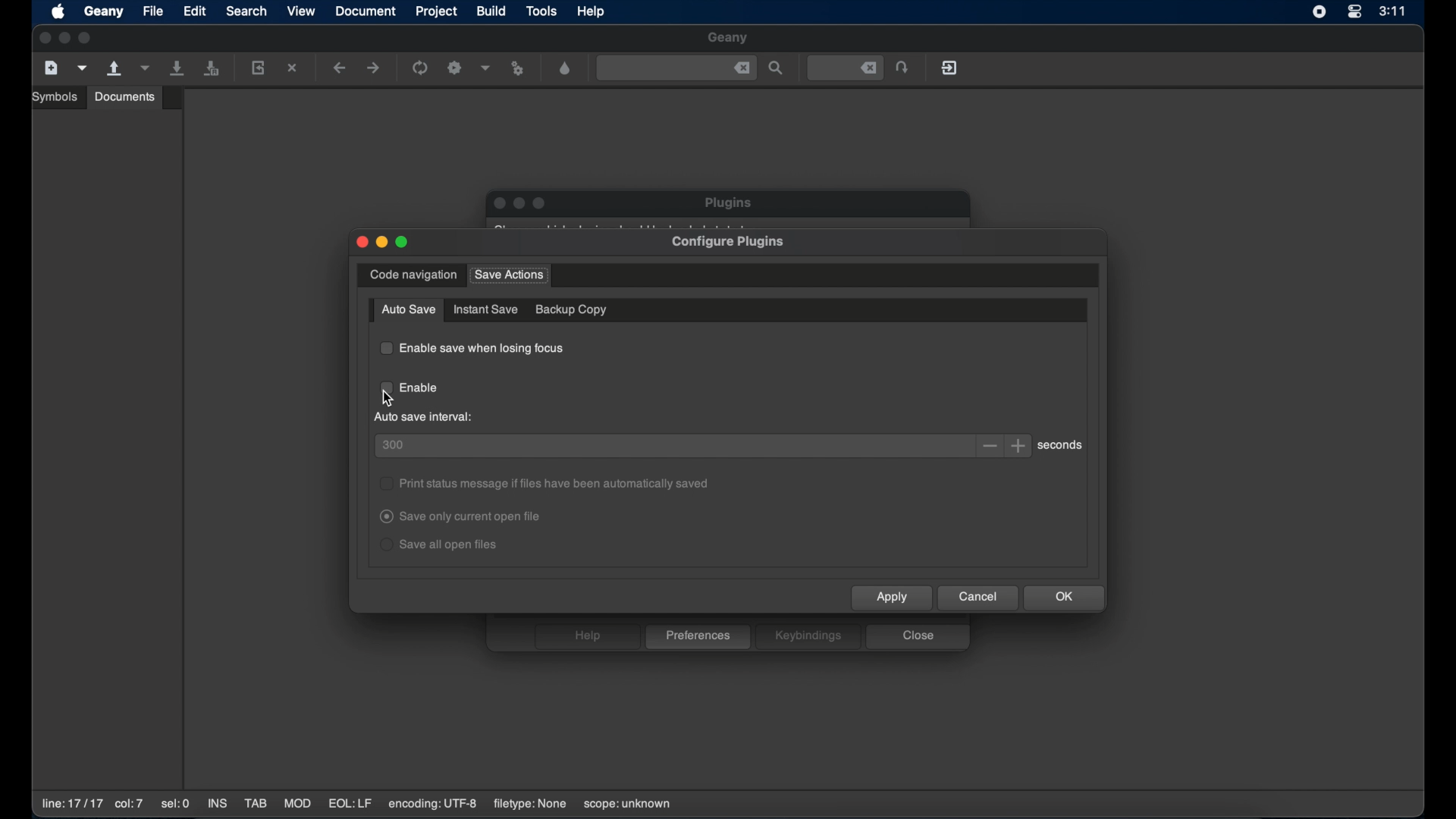 The image size is (1456, 819). What do you see at coordinates (566, 69) in the screenshot?
I see `open a color chooser dialogue` at bounding box center [566, 69].